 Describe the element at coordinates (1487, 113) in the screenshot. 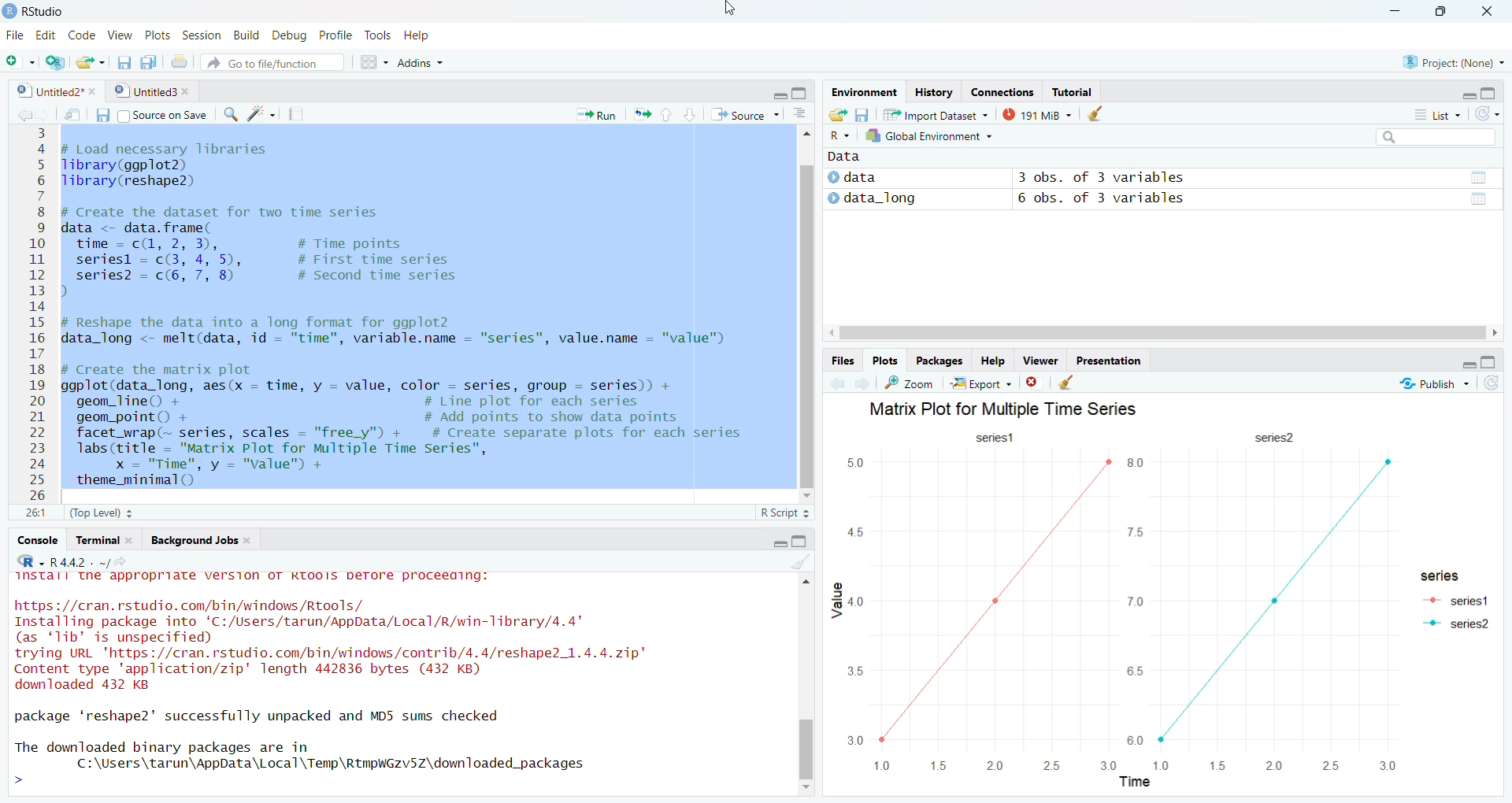

I see `Refresh Theme` at that location.